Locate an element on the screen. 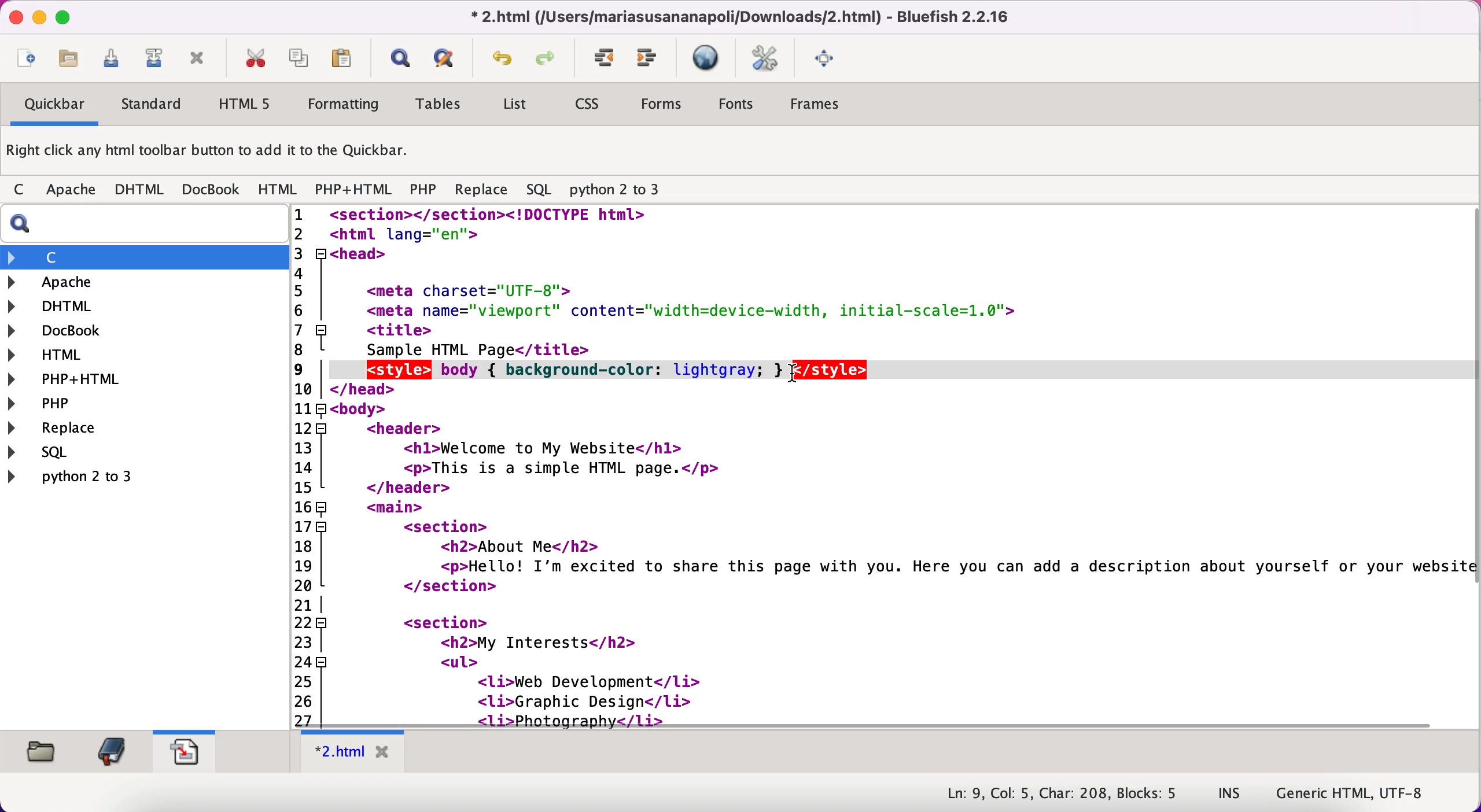 The width and height of the screenshot is (1481, 812). right click any html toolbar button to add it to the quickbar. is located at coordinates (210, 153).